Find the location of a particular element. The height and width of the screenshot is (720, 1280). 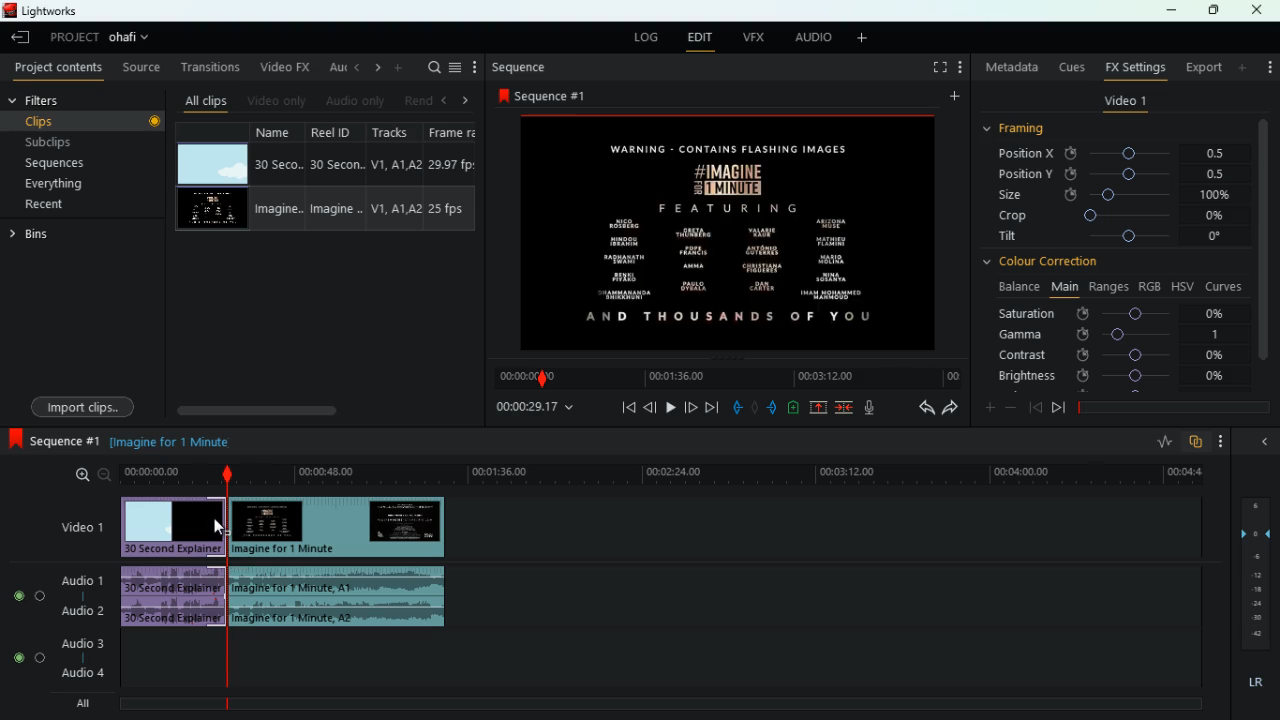

audio 1 is located at coordinates (85, 580).